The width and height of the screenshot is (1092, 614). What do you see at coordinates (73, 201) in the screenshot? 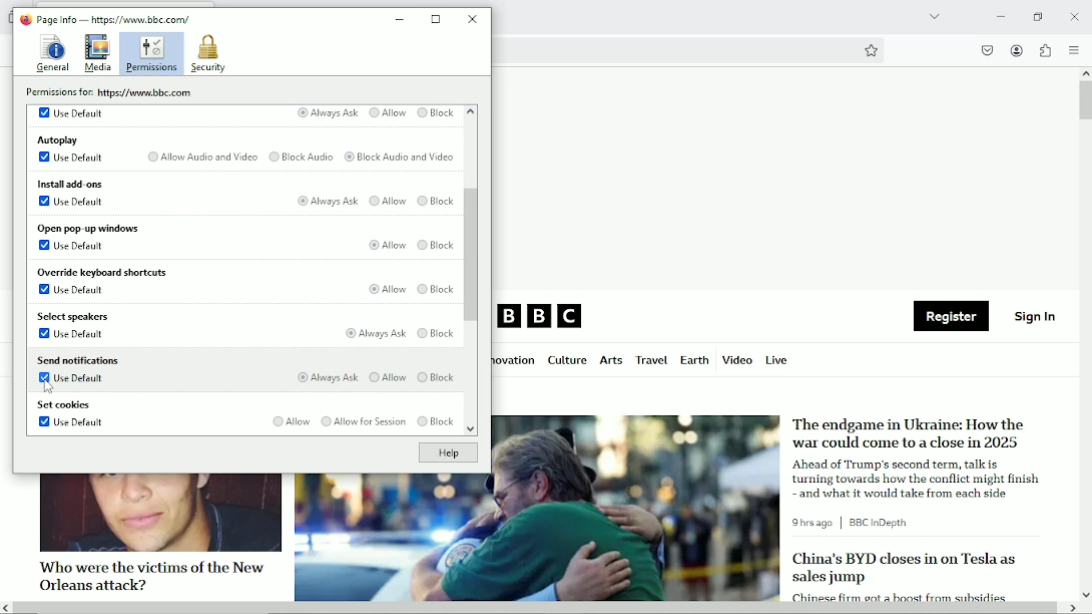
I see `Use default` at bounding box center [73, 201].